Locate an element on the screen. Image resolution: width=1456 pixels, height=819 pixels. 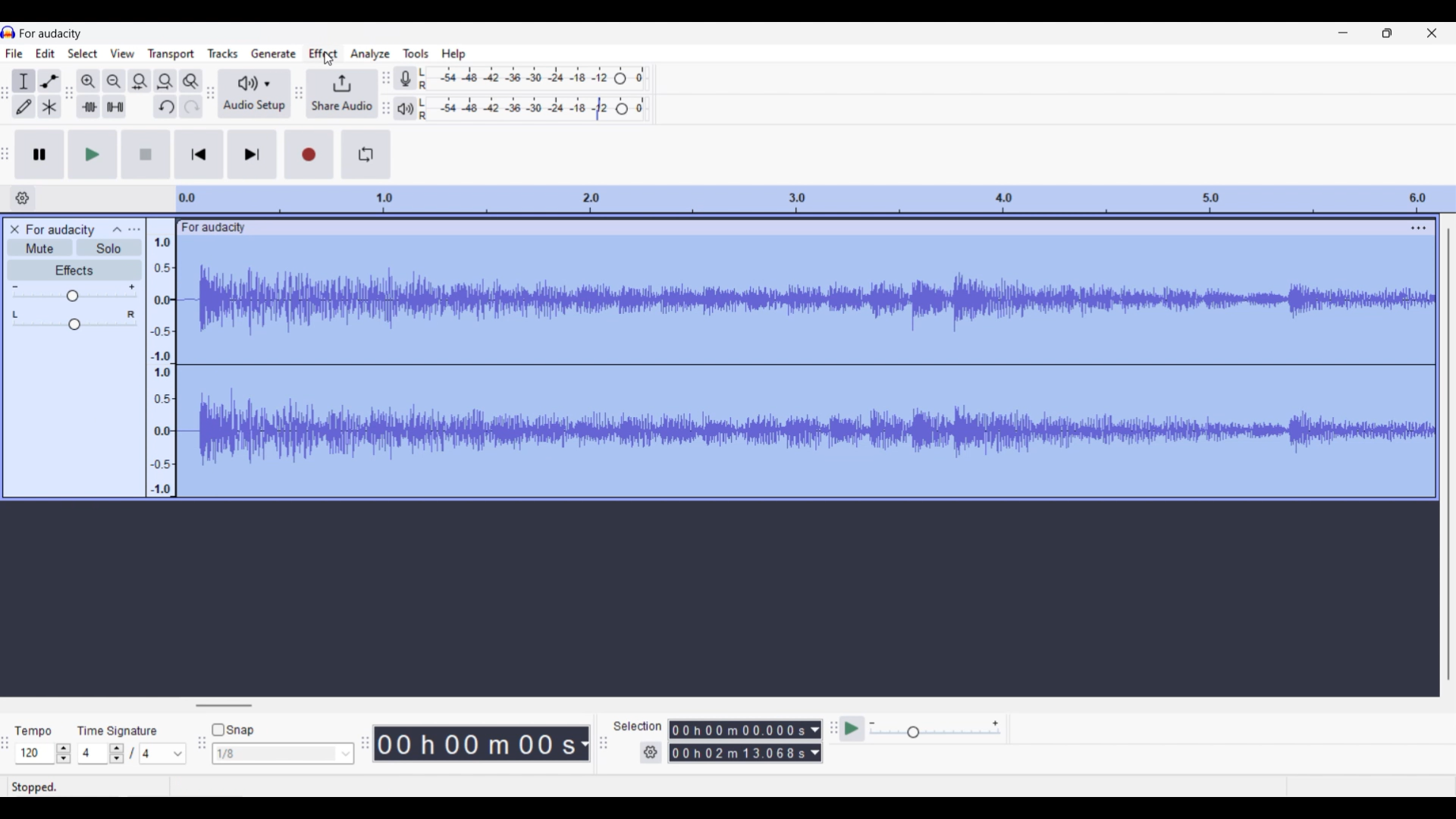
Play/Play once is located at coordinates (93, 155).